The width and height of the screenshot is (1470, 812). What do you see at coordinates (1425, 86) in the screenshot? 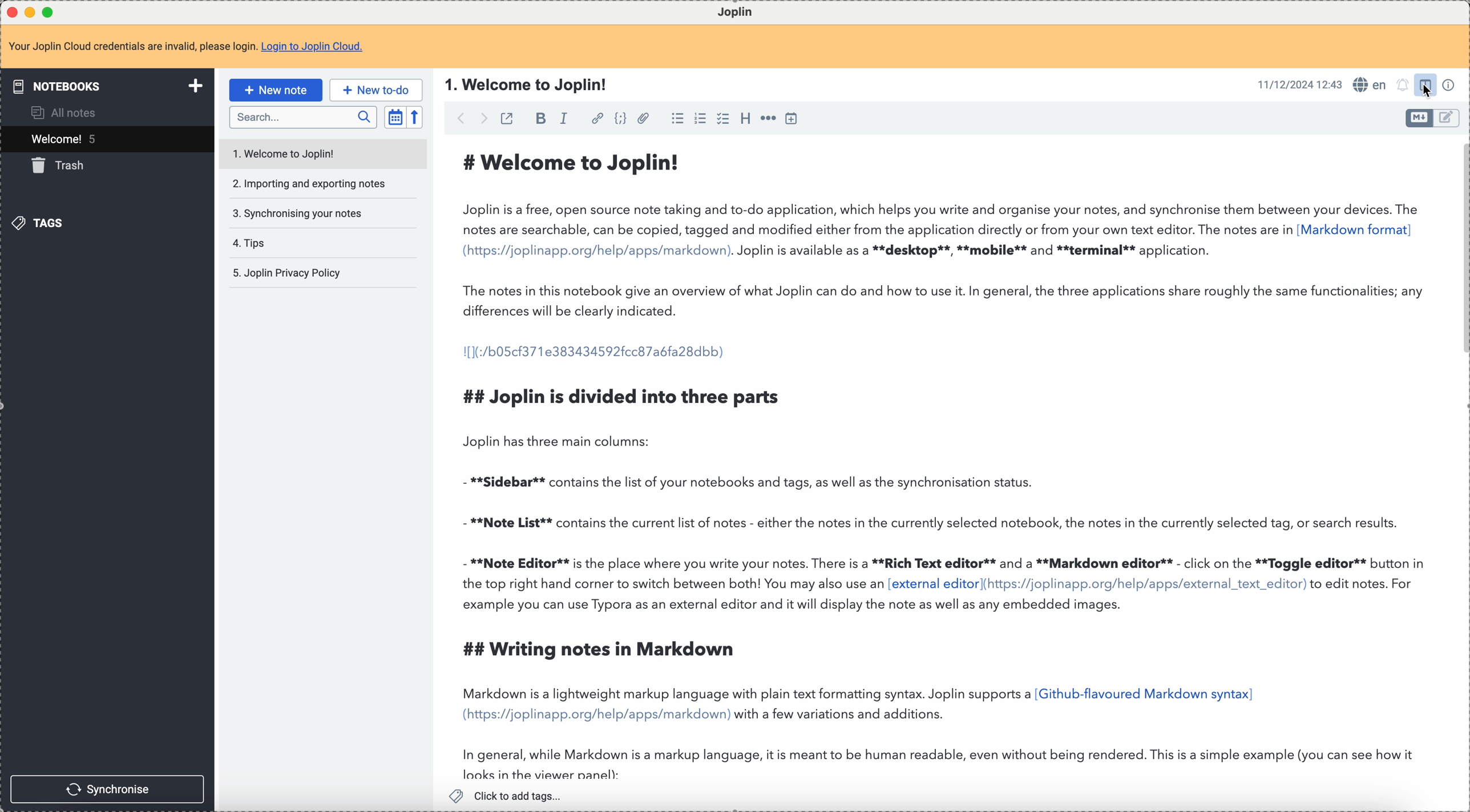
I see `click on toggle editor layout` at bounding box center [1425, 86].